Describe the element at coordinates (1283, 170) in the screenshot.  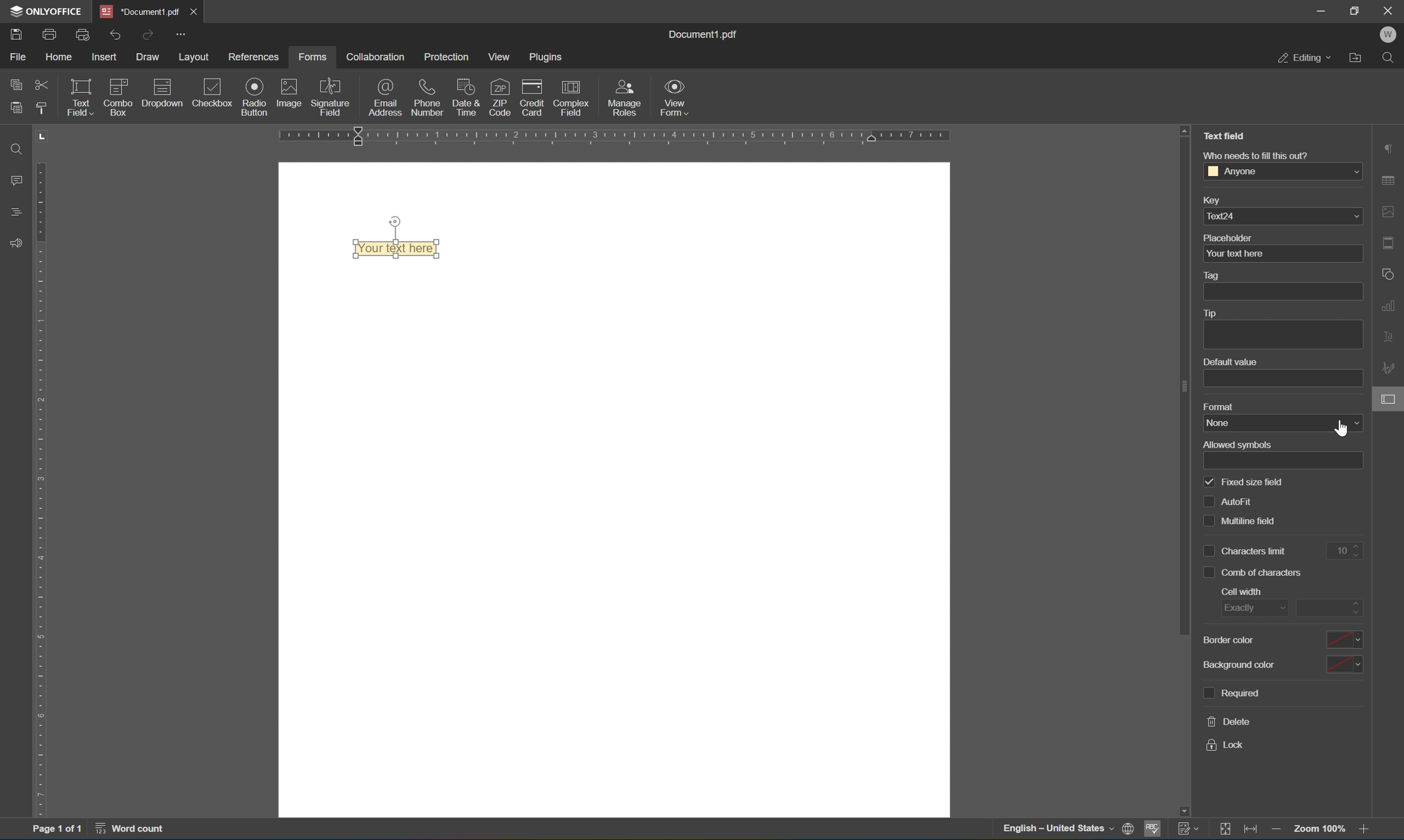
I see `anyone` at that location.